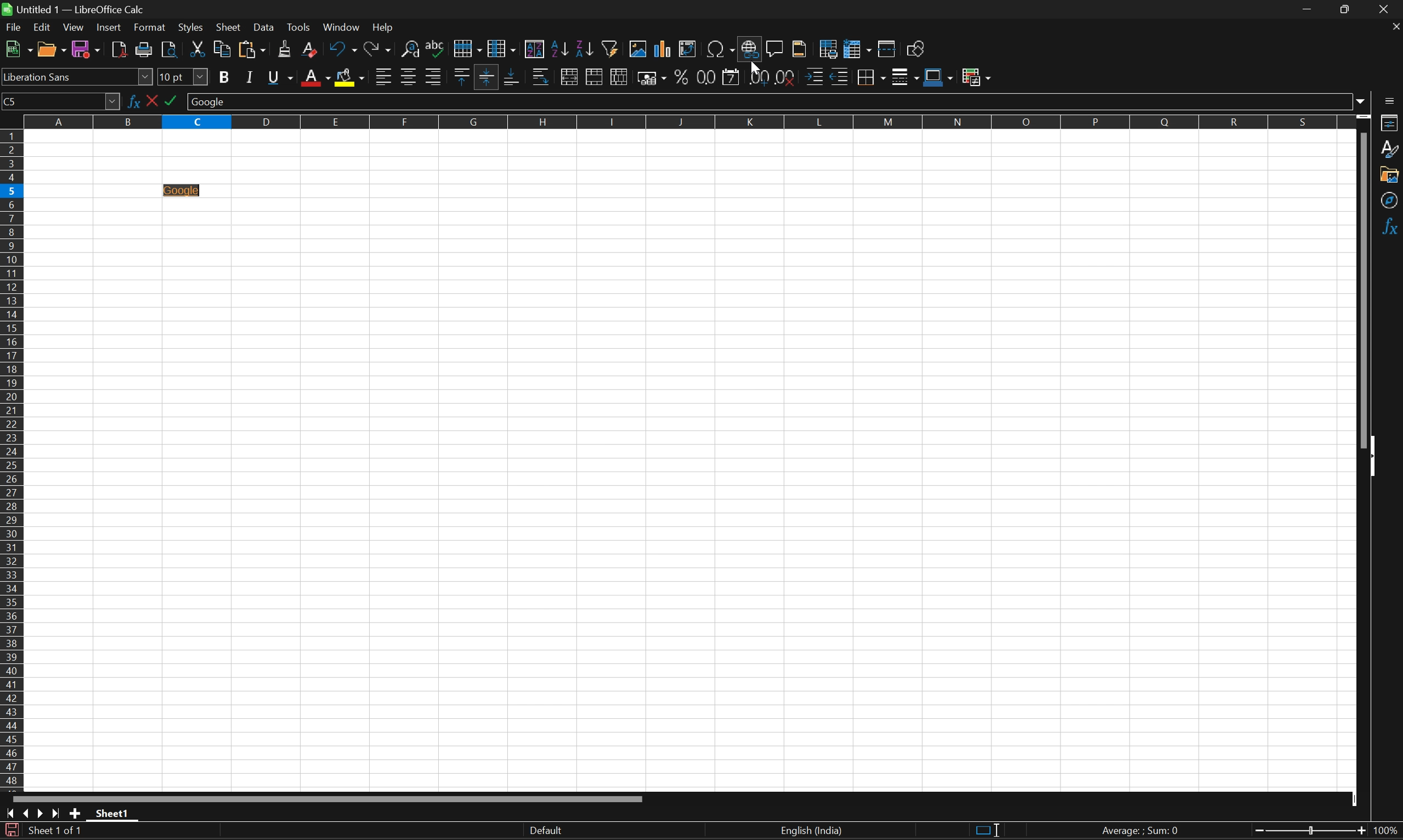 The width and height of the screenshot is (1403, 840). What do you see at coordinates (220, 48) in the screenshot?
I see `Copy` at bounding box center [220, 48].